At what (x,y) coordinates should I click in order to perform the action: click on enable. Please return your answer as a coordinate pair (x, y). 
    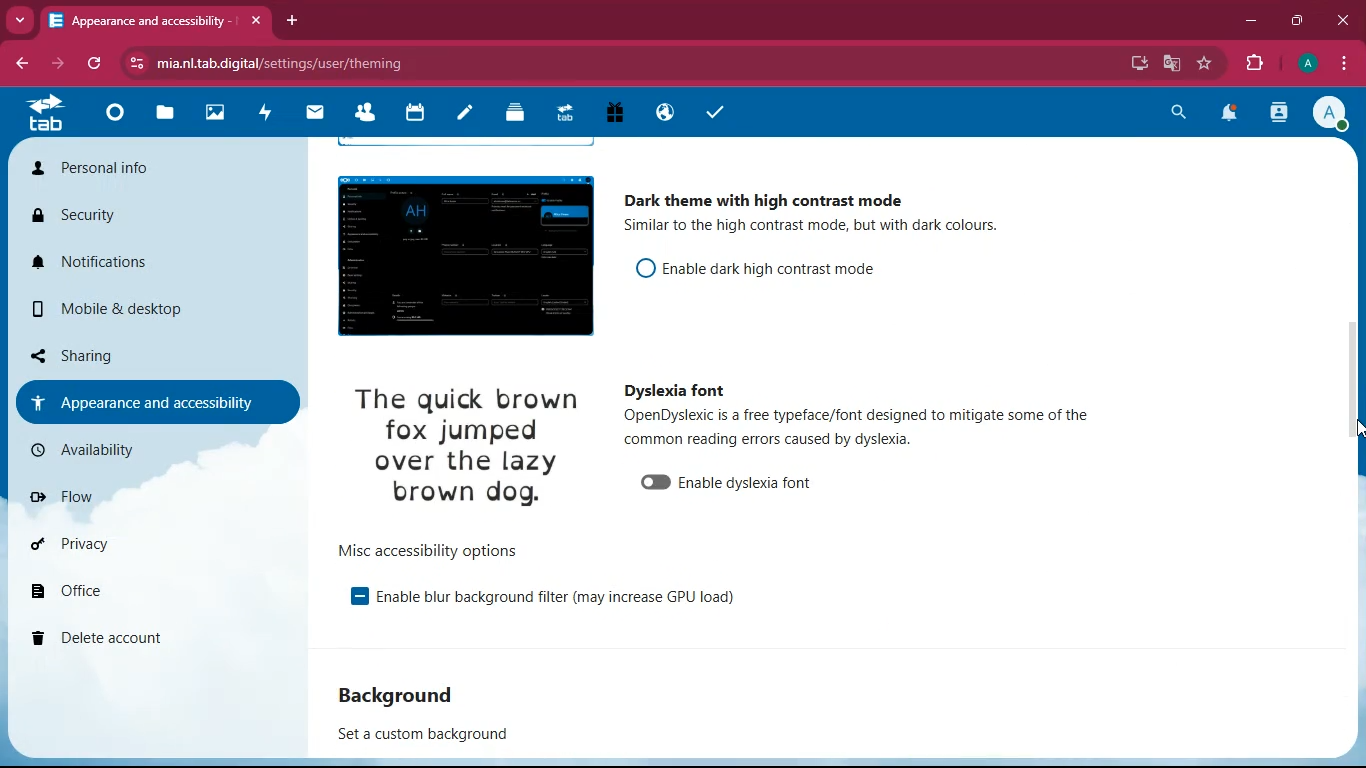
    Looking at the image, I should click on (769, 265).